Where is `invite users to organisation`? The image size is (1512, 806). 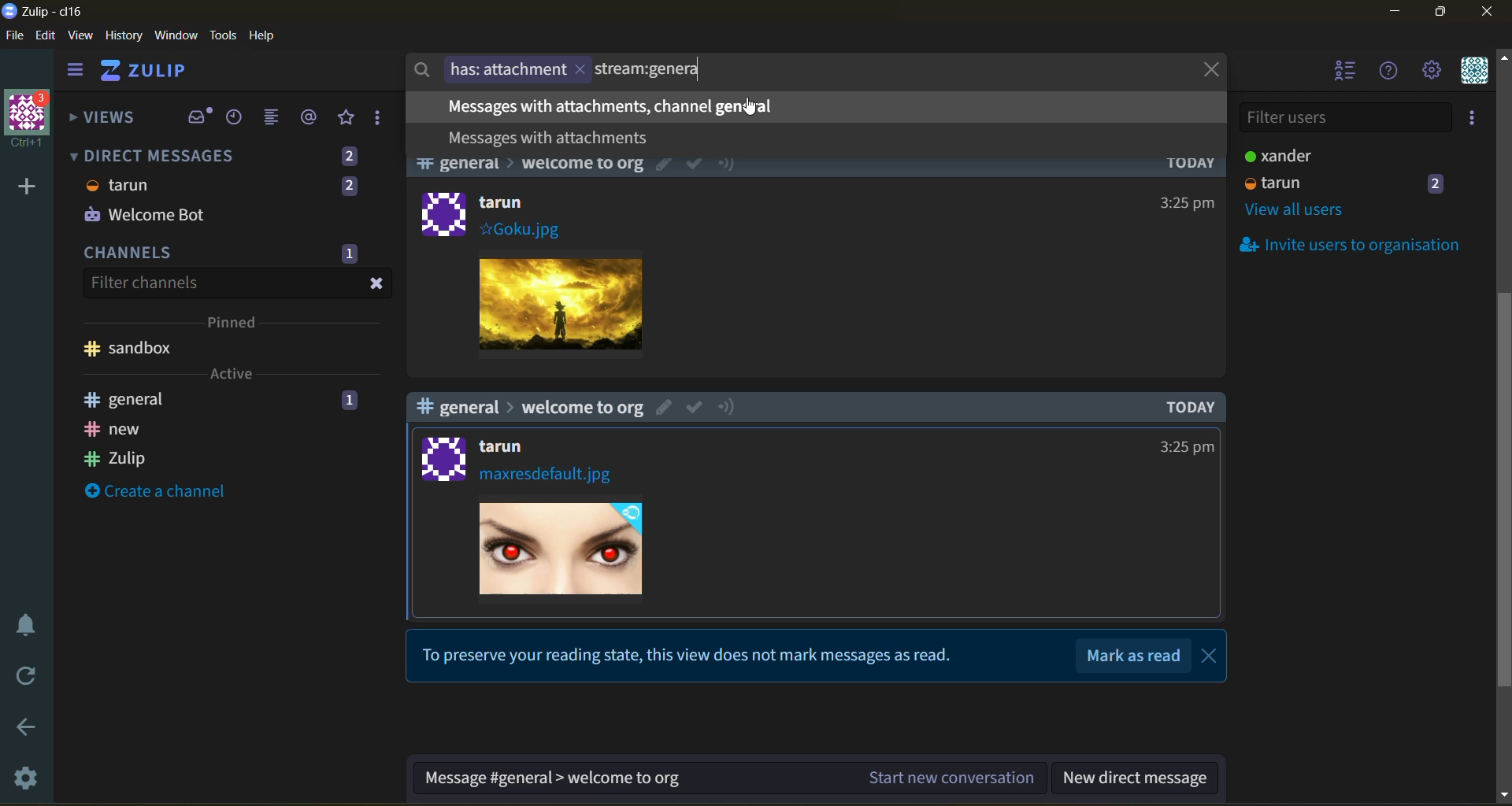
invite users to organisation is located at coordinates (1473, 117).